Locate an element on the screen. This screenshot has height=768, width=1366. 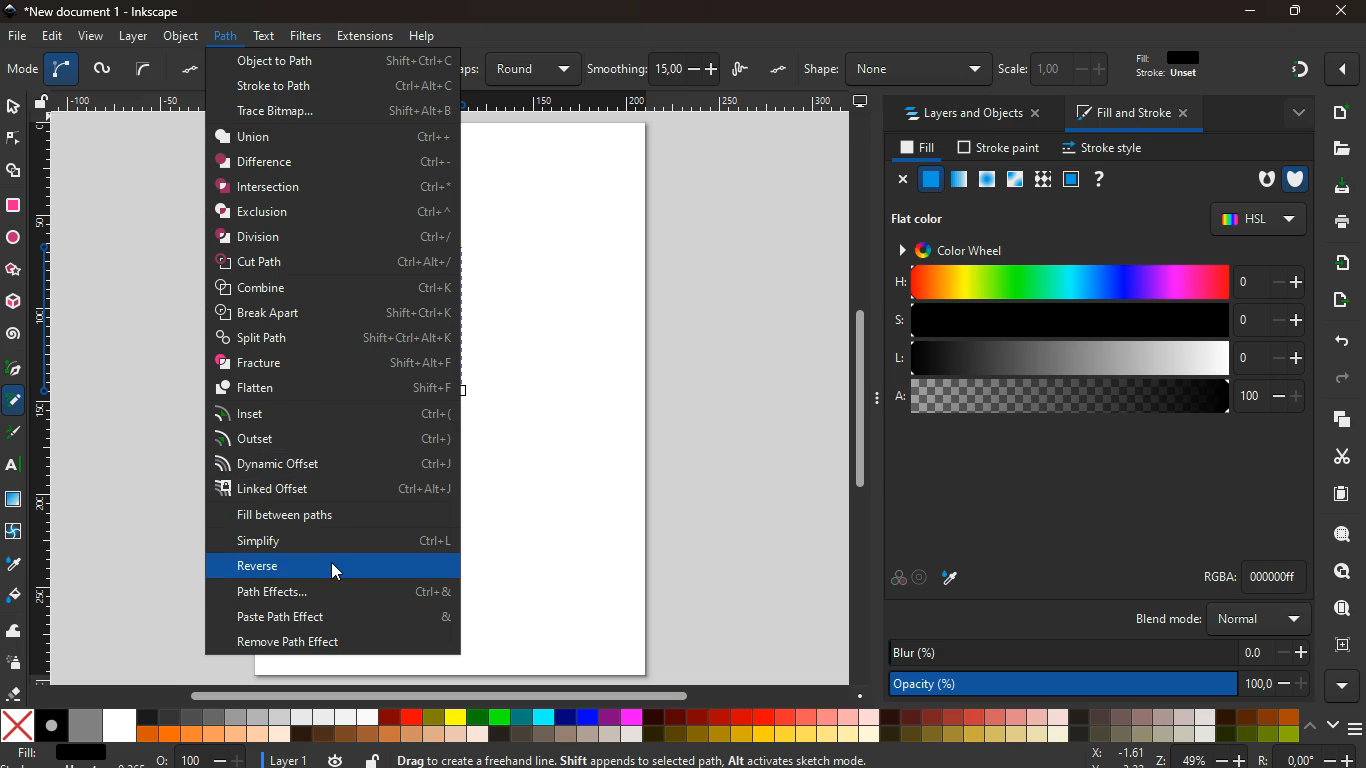
paint is located at coordinates (951, 577).